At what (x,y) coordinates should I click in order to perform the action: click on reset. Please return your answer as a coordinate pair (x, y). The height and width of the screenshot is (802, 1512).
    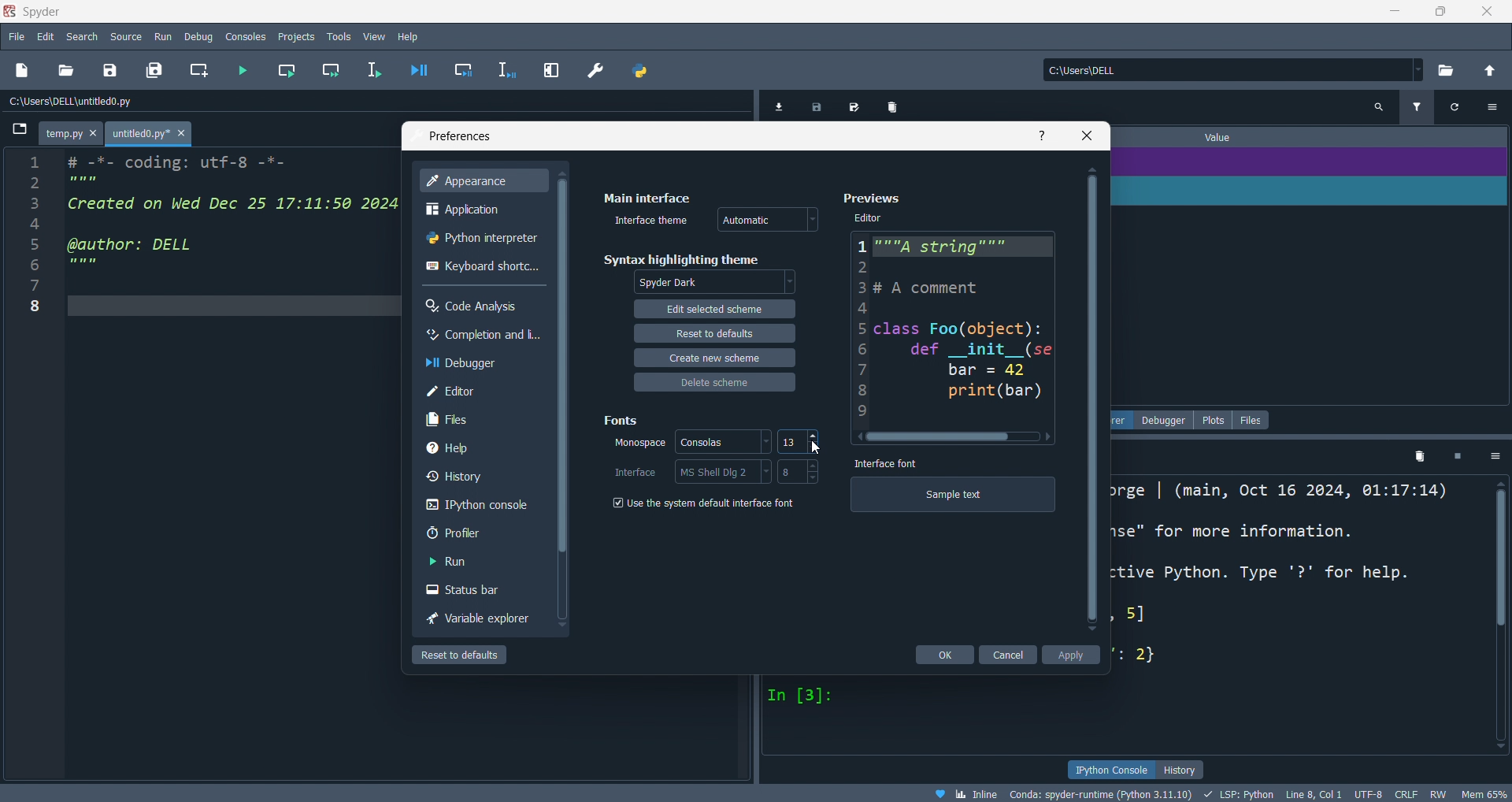
    Looking at the image, I should click on (713, 332).